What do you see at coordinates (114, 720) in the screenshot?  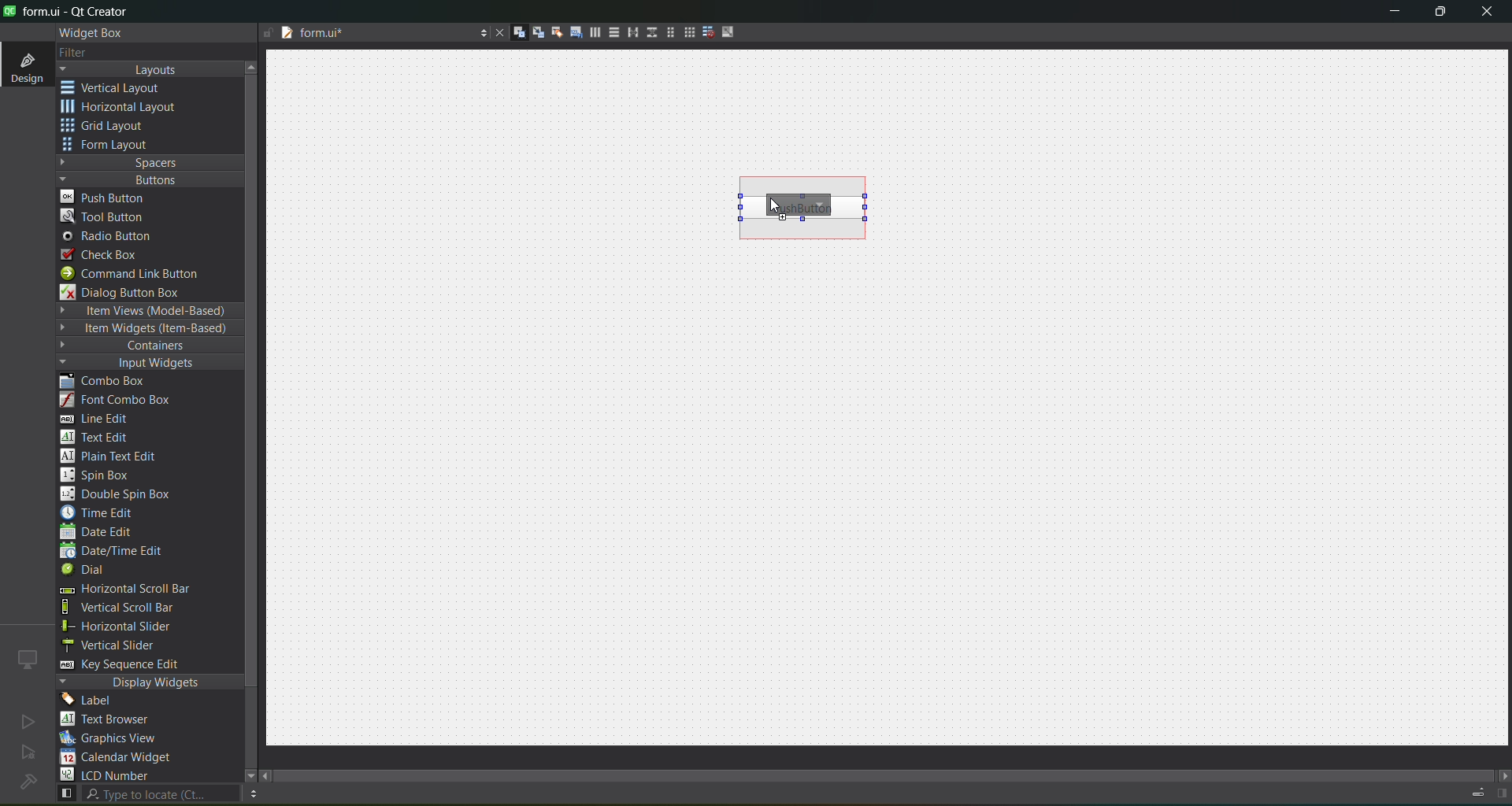 I see `text` at bounding box center [114, 720].